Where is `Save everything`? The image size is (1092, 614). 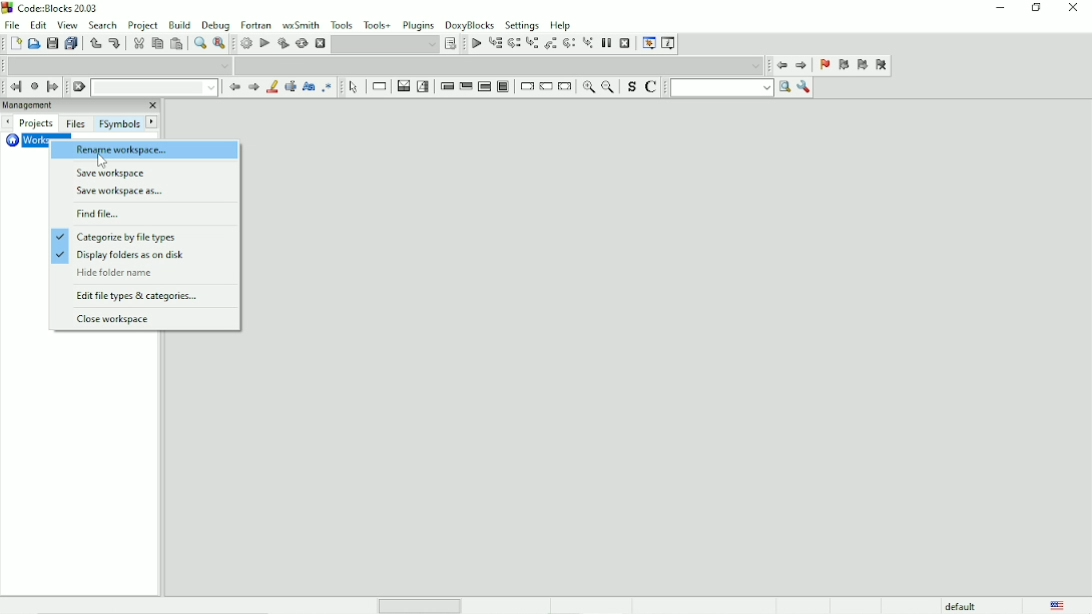 Save everything is located at coordinates (71, 44).